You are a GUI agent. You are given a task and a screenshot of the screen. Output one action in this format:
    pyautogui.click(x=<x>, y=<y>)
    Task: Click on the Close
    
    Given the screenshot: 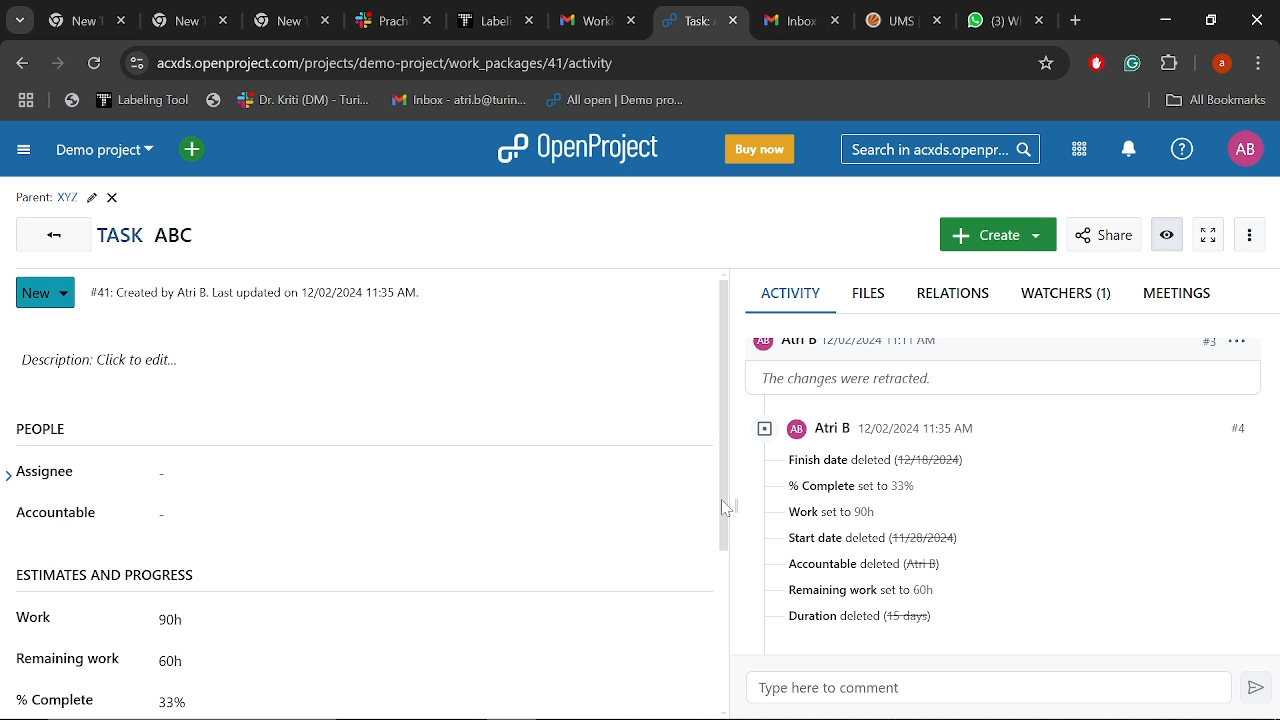 What is the action you would take?
    pyautogui.click(x=112, y=198)
    